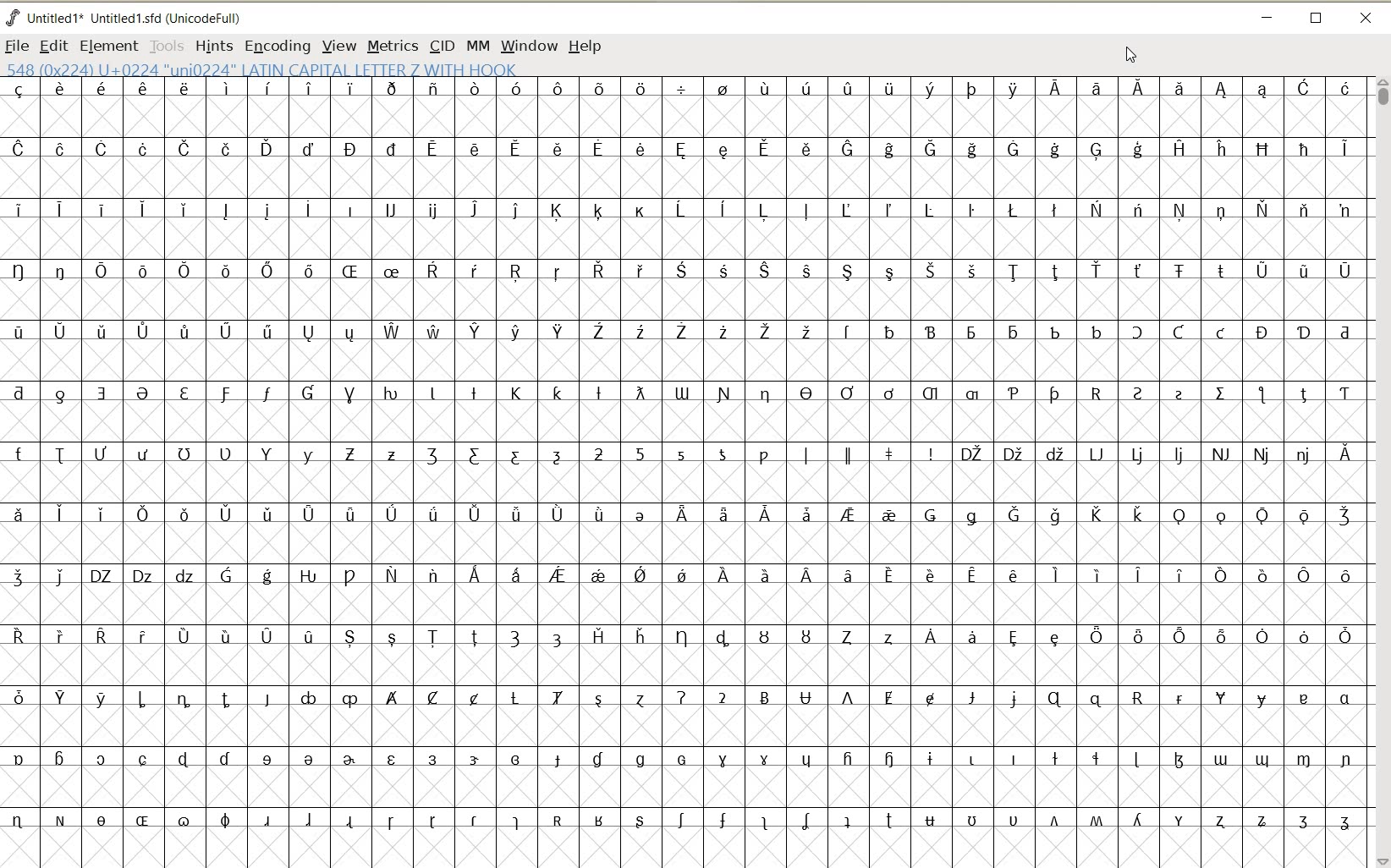 The width and height of the screenshot is (1391, 868). I want to click on HELP, so click(587, 47).